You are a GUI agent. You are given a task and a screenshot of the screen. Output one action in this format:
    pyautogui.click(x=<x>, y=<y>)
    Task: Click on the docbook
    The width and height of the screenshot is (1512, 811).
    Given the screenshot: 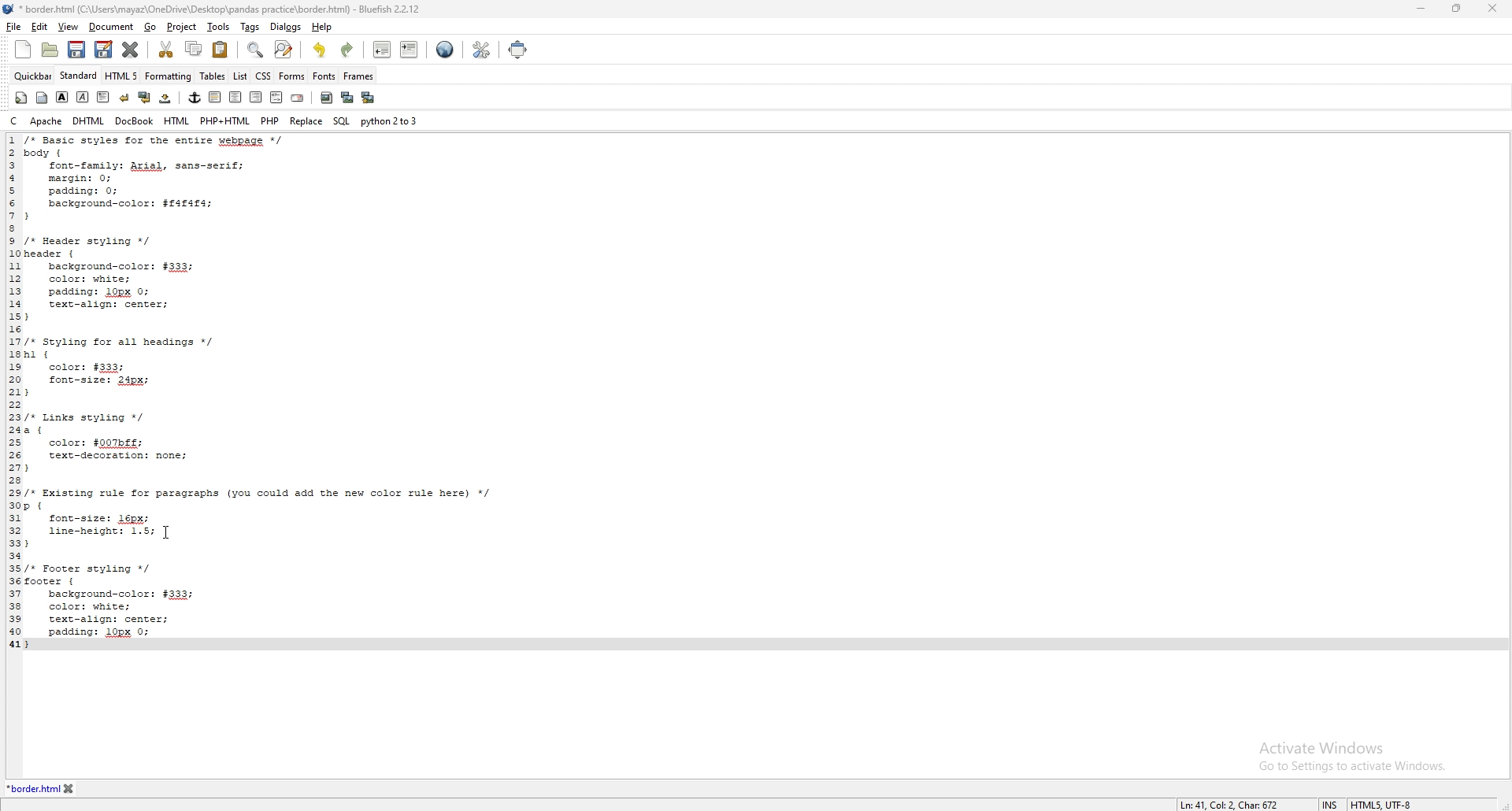 What is the action you would take?
    pyautogui.click(x=135, y=120)
    